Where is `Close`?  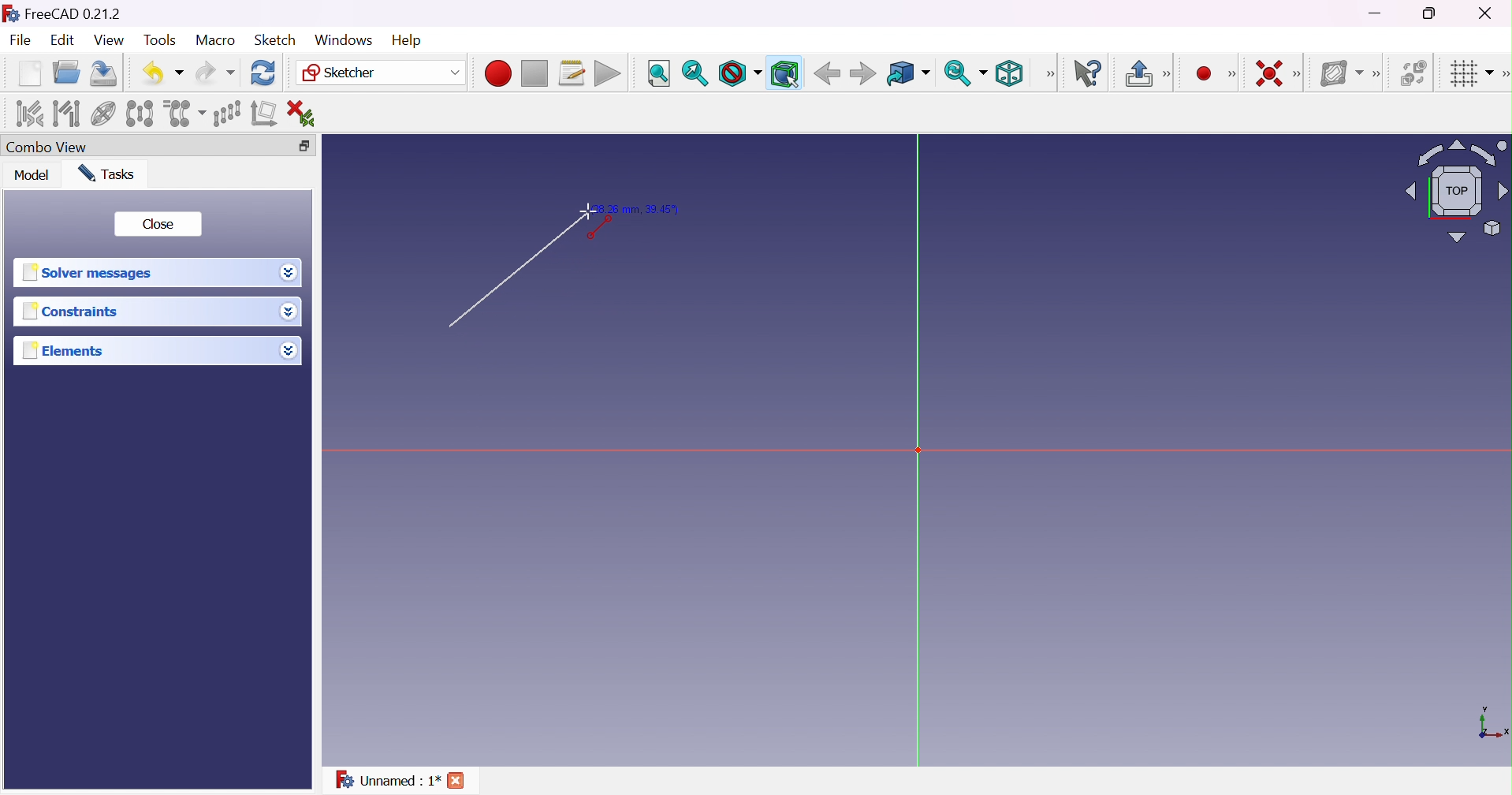 Close is located at coordinates (160, 225).